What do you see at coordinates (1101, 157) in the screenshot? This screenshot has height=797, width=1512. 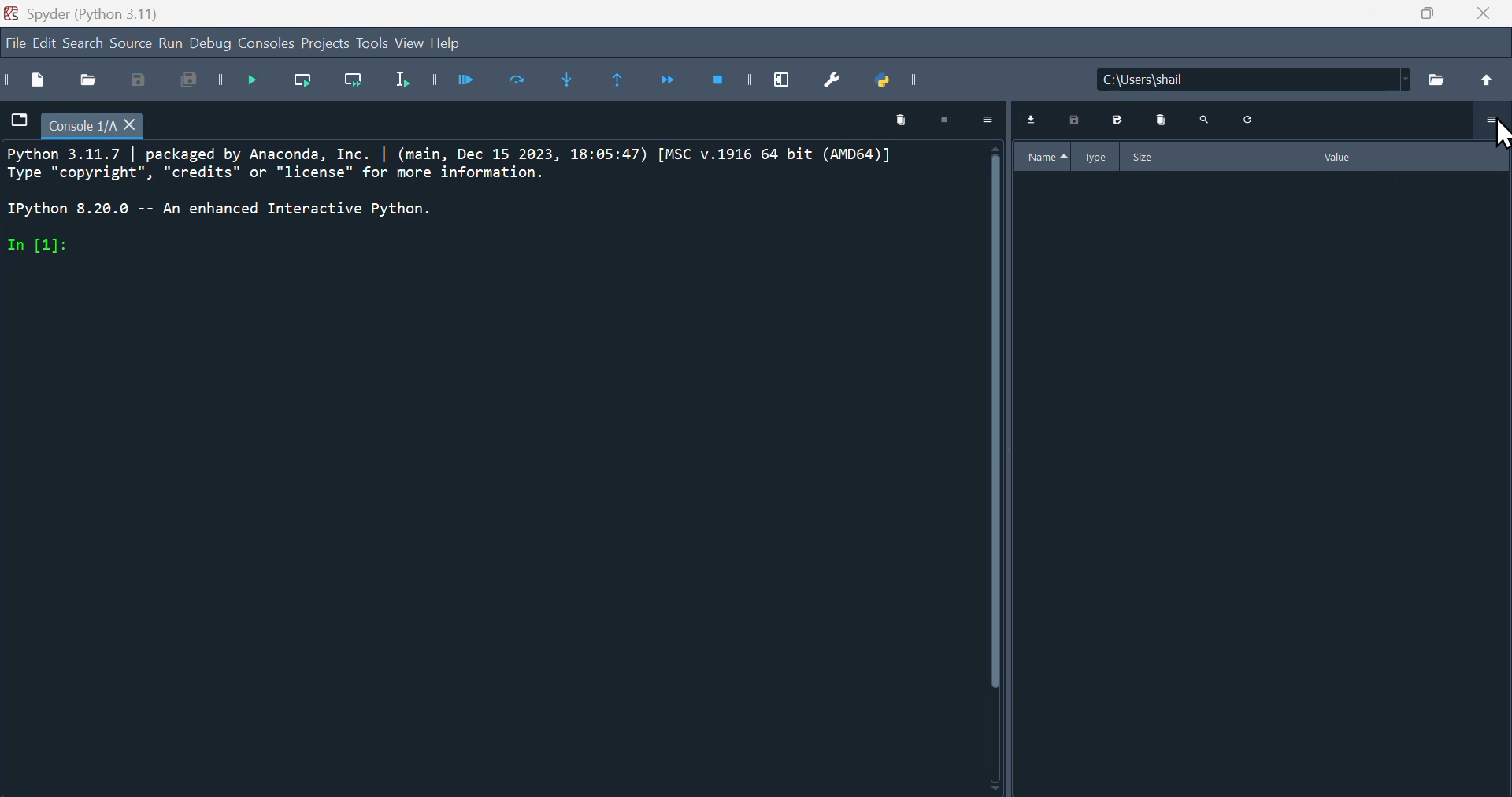 I see `Type` at bounding box center [1101, 157].